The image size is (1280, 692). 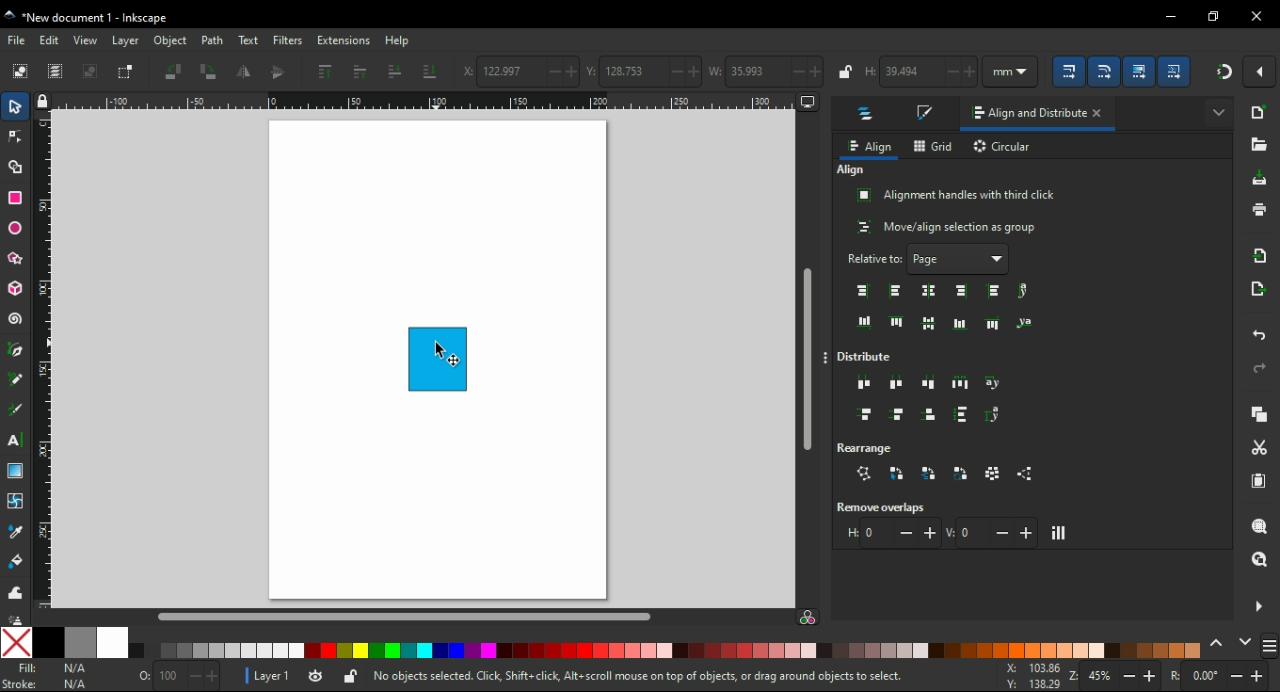 What do you see at coordinates (995, 383) in the screenshot?
I see `distribute anchors horizontally ` at bounding box center [995, 383].